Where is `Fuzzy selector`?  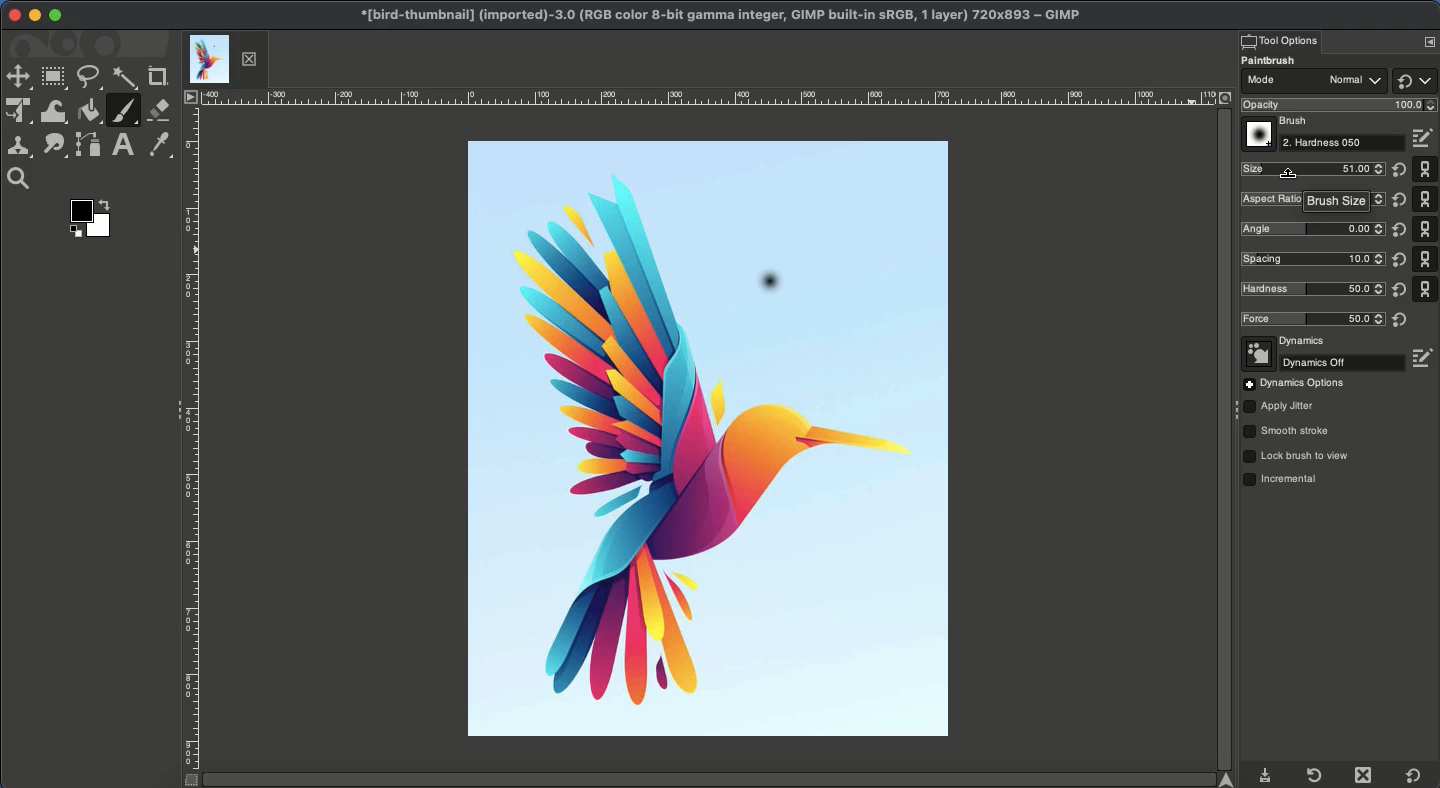 Fuzzy selector is located at coordinates (125, 79).